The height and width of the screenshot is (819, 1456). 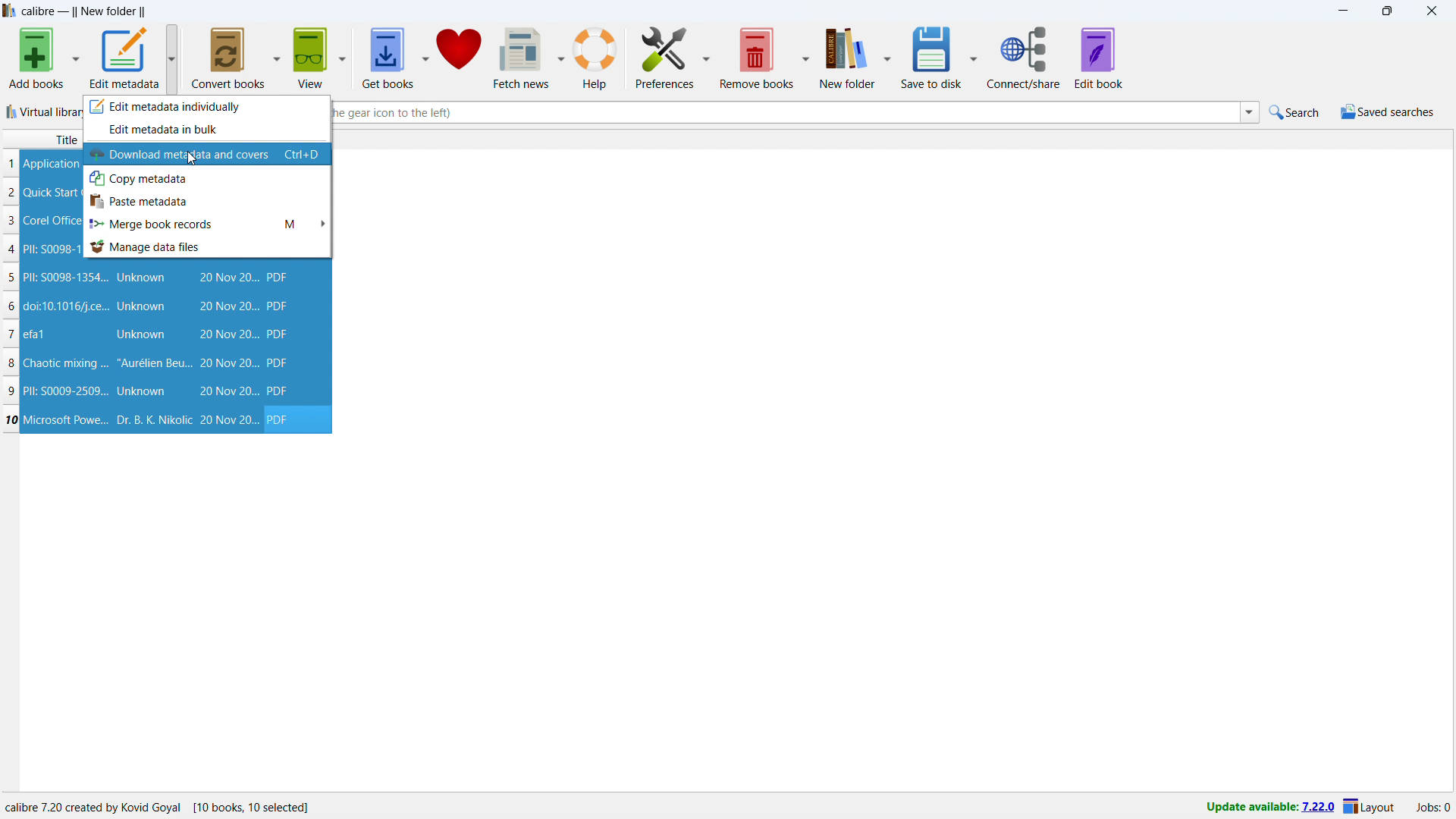 What do you see at coordinates (66, 419) in the screenshot?
I see `Microsoft Powe...` at bounding box center [66, 419].